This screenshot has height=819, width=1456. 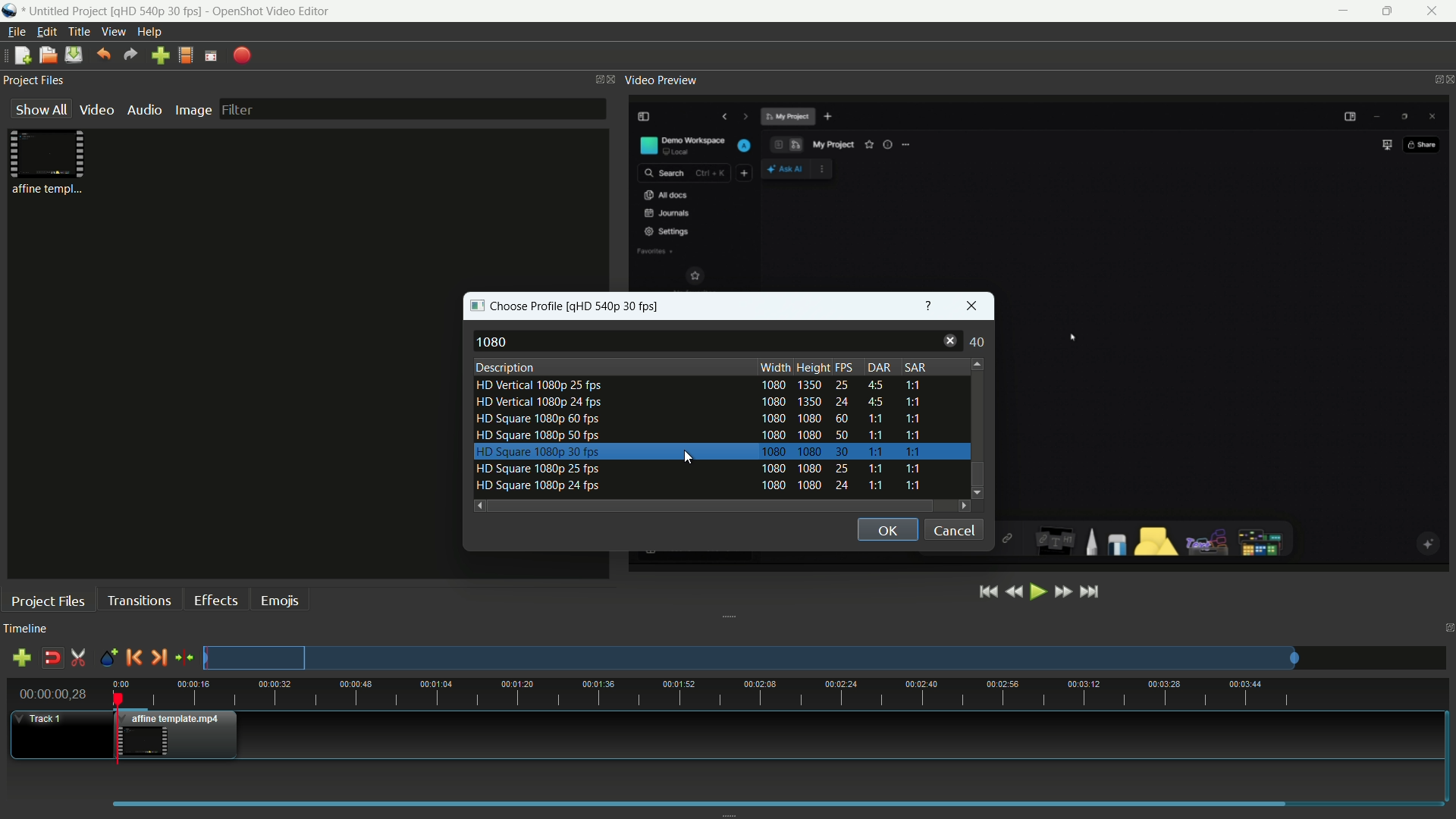 I want to click on profile, so click(x=186, y=55).